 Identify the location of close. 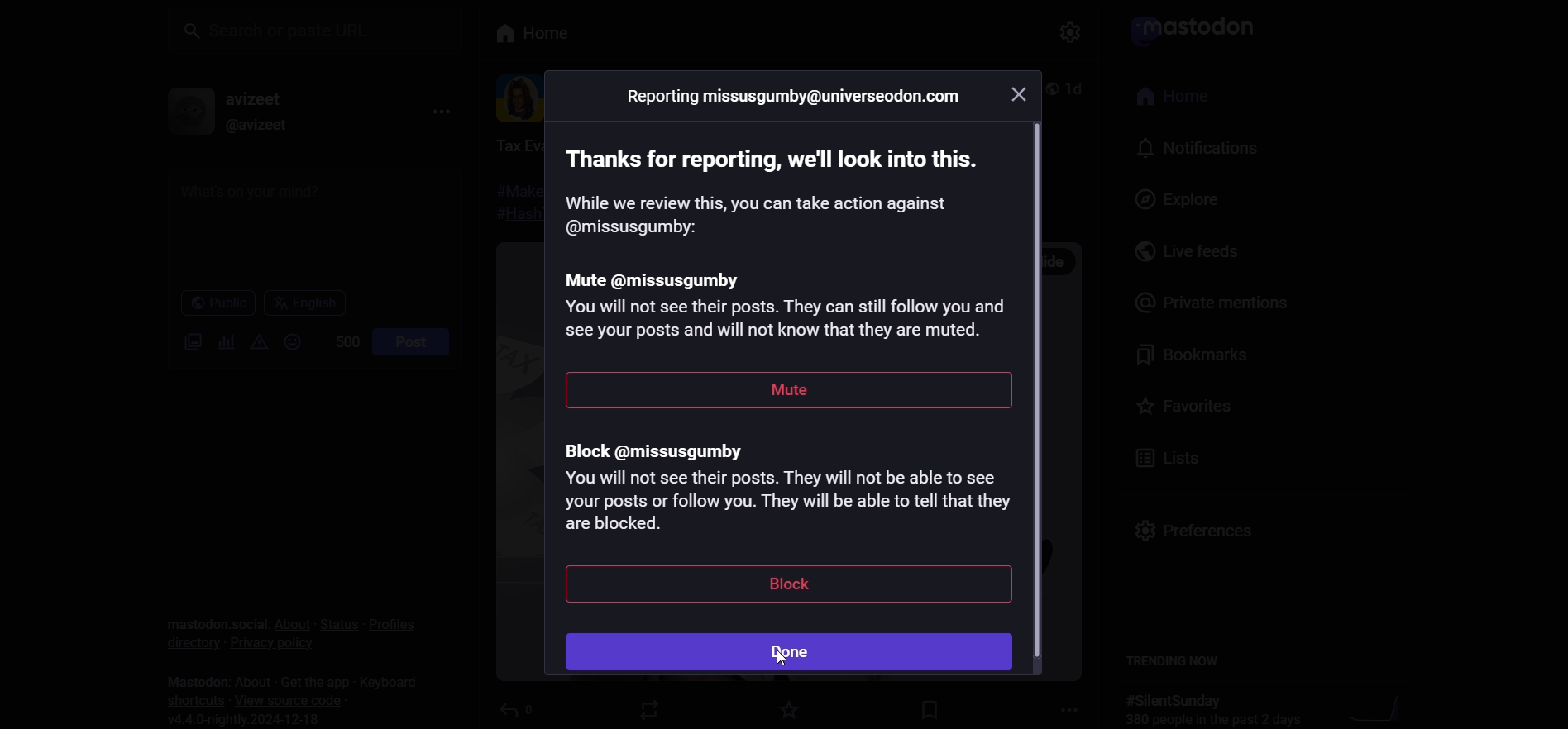
(1022, 96).